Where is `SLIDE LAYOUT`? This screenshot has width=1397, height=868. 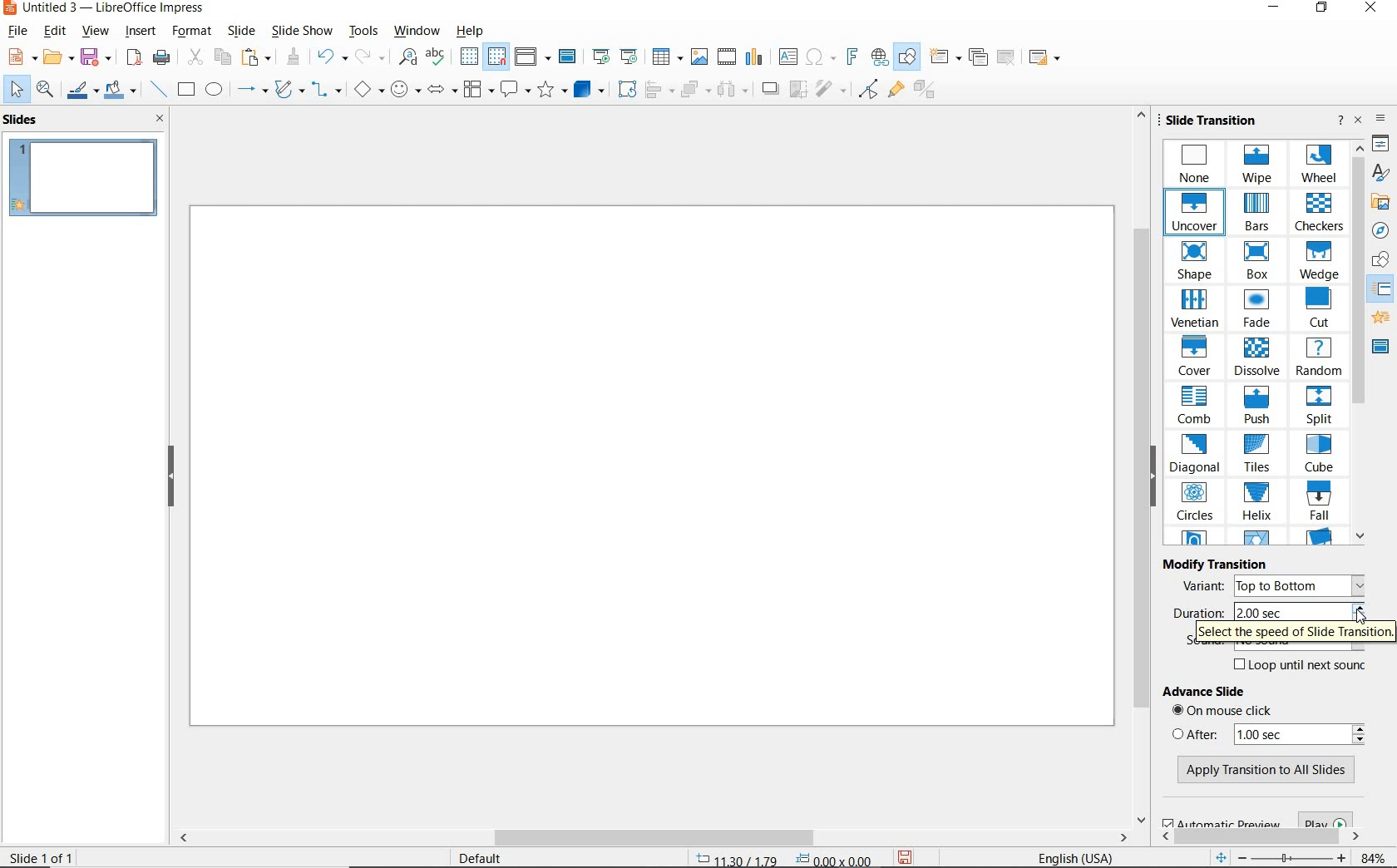
SLIDE LAYOUT is located at coordinates (1042, 57).